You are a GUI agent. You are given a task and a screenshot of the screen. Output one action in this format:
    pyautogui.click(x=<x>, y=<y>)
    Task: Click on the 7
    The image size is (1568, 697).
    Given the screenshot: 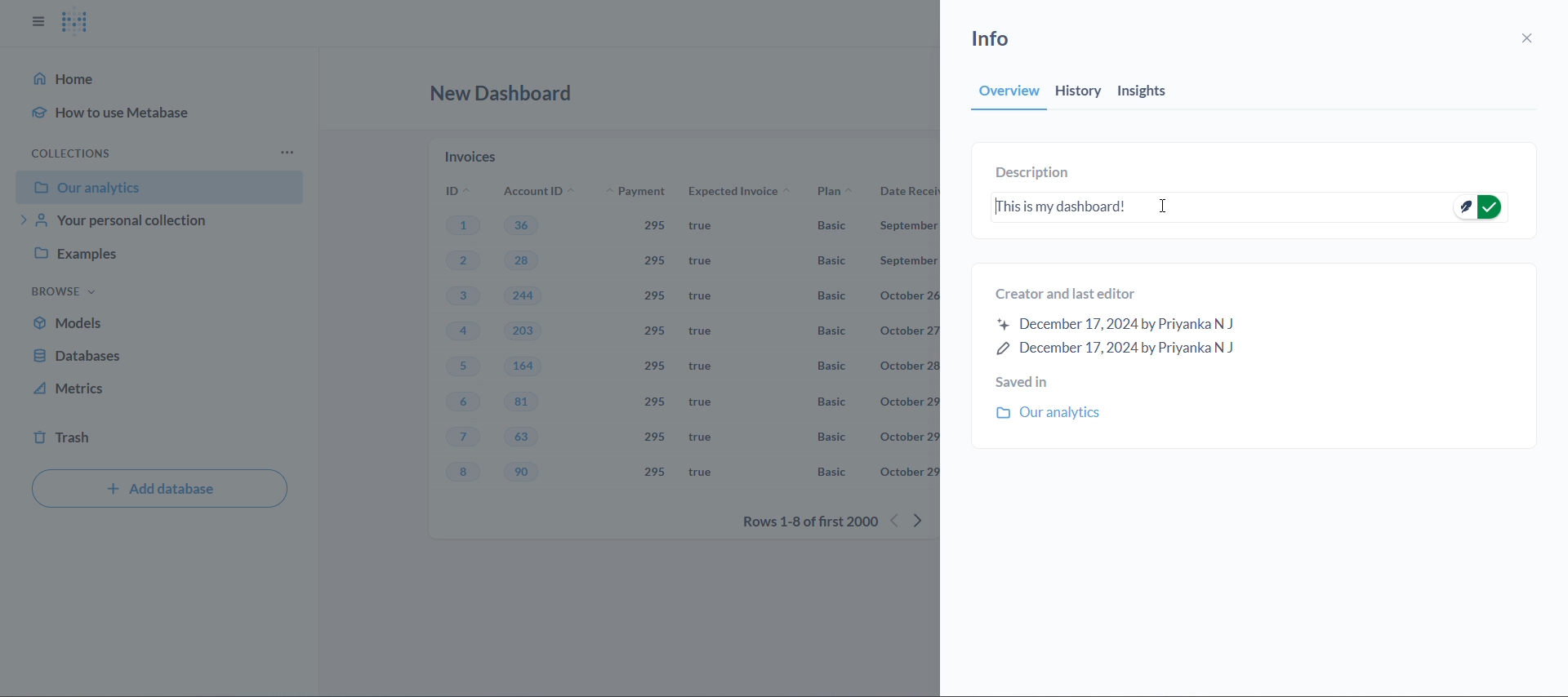 What is the action you would take?
    pyautogui.click(x=462, y=438)
    